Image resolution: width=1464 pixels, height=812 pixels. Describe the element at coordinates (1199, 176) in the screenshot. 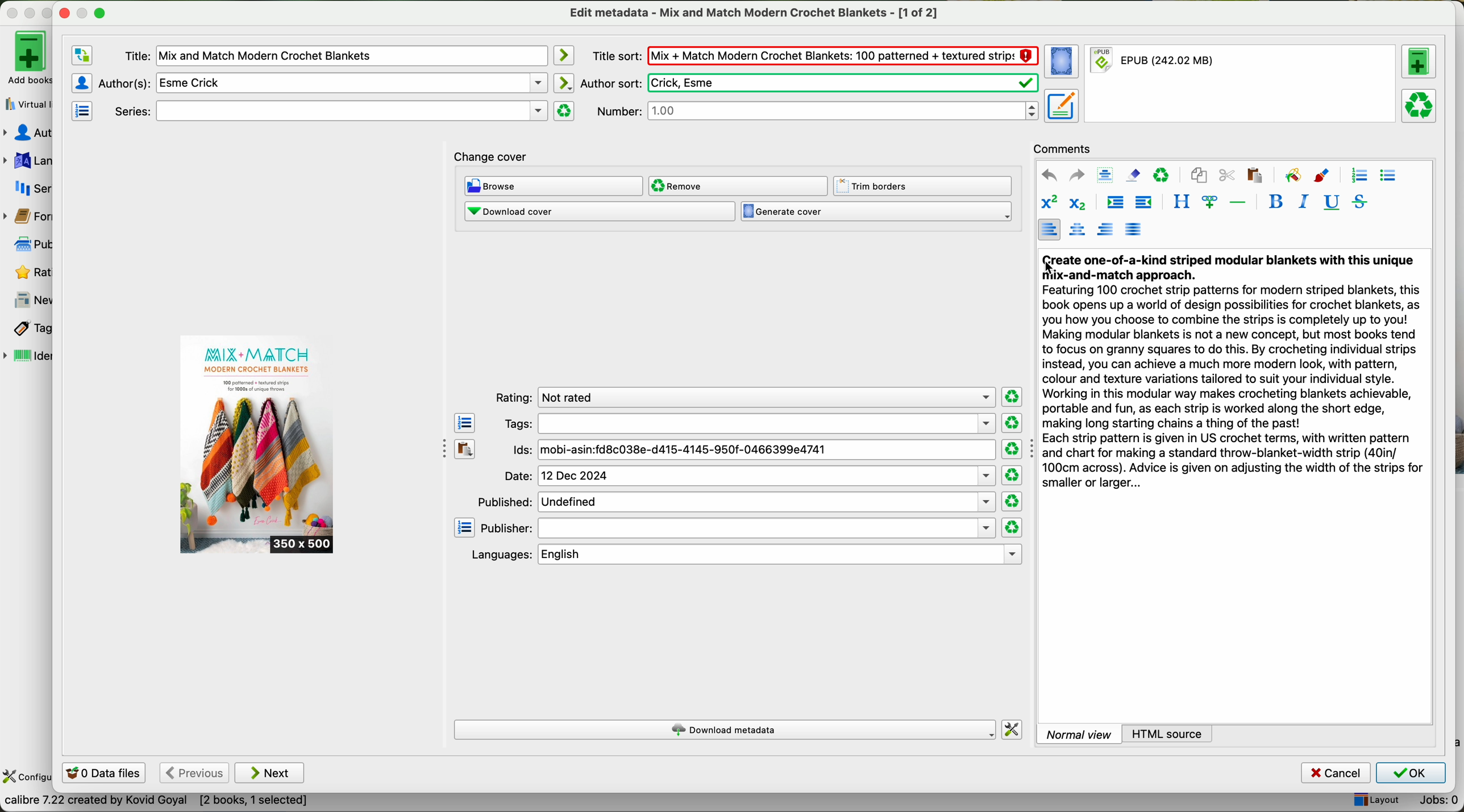

I see `copy` at that location.